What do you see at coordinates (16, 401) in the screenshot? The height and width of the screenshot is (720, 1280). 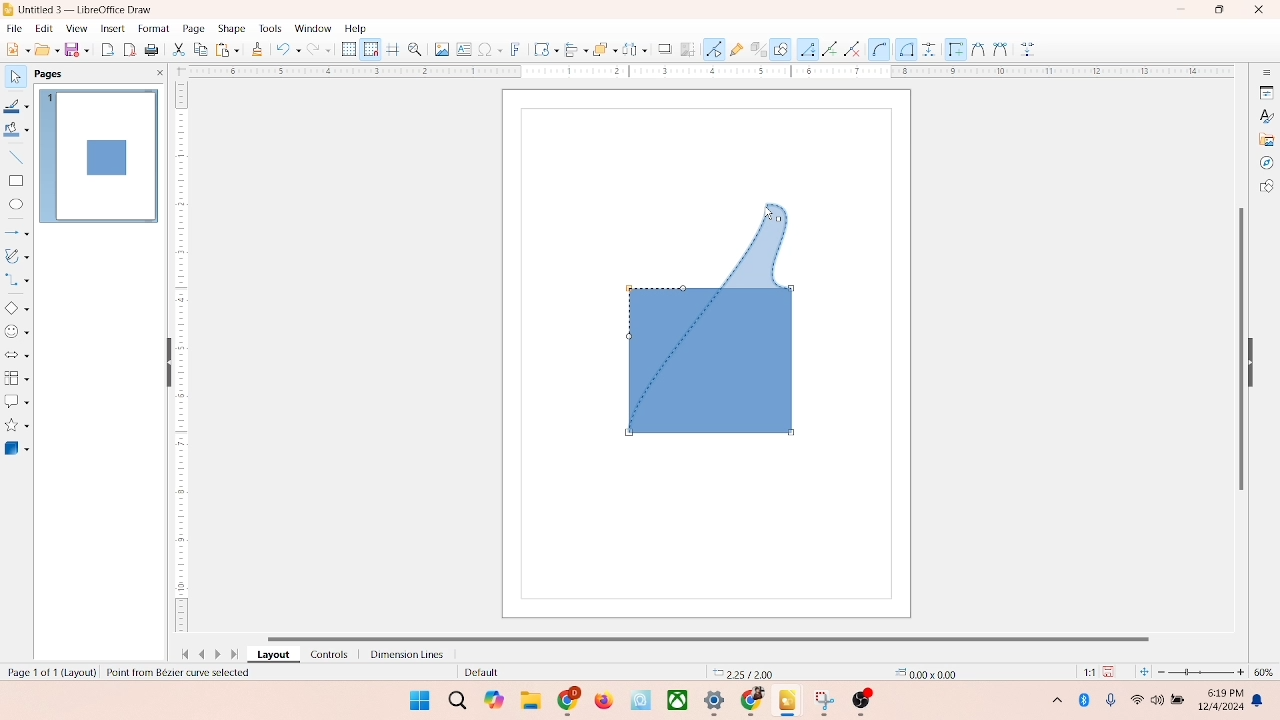 I see `callout` at bounding box center [16, 401].